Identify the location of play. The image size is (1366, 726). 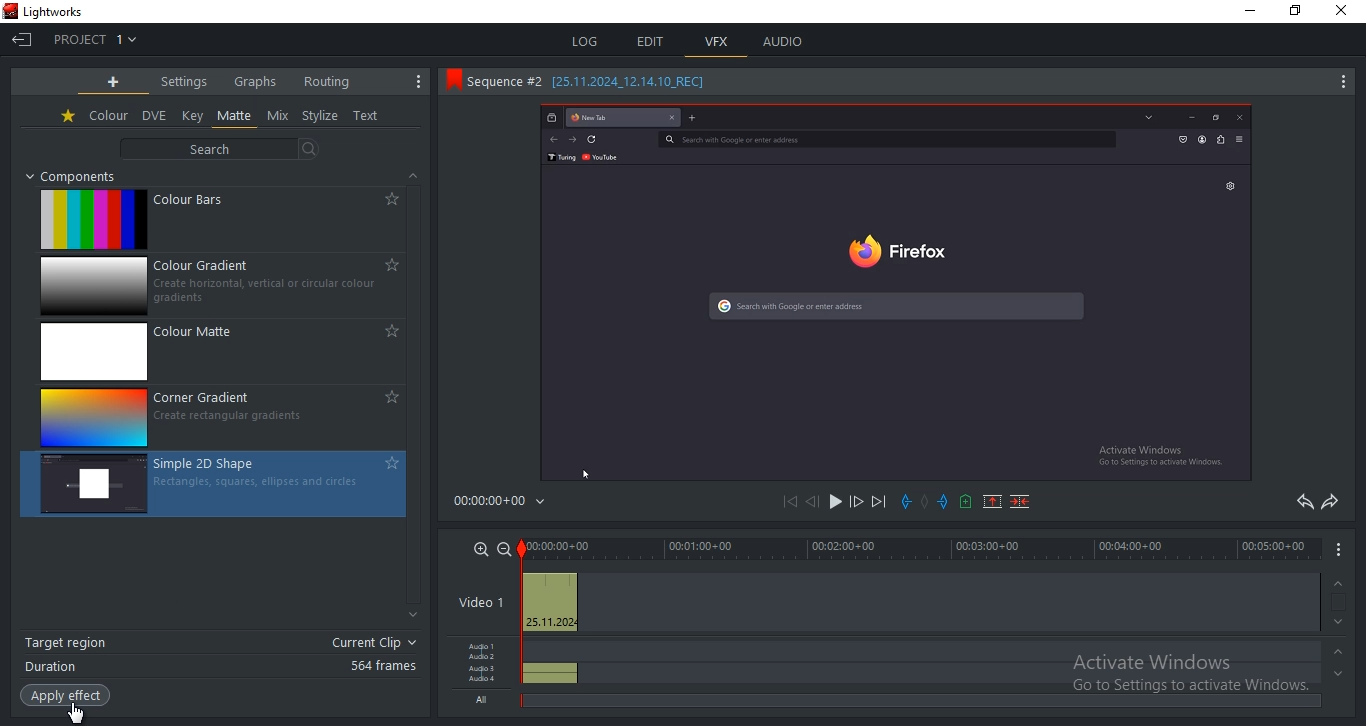
(833, 504).